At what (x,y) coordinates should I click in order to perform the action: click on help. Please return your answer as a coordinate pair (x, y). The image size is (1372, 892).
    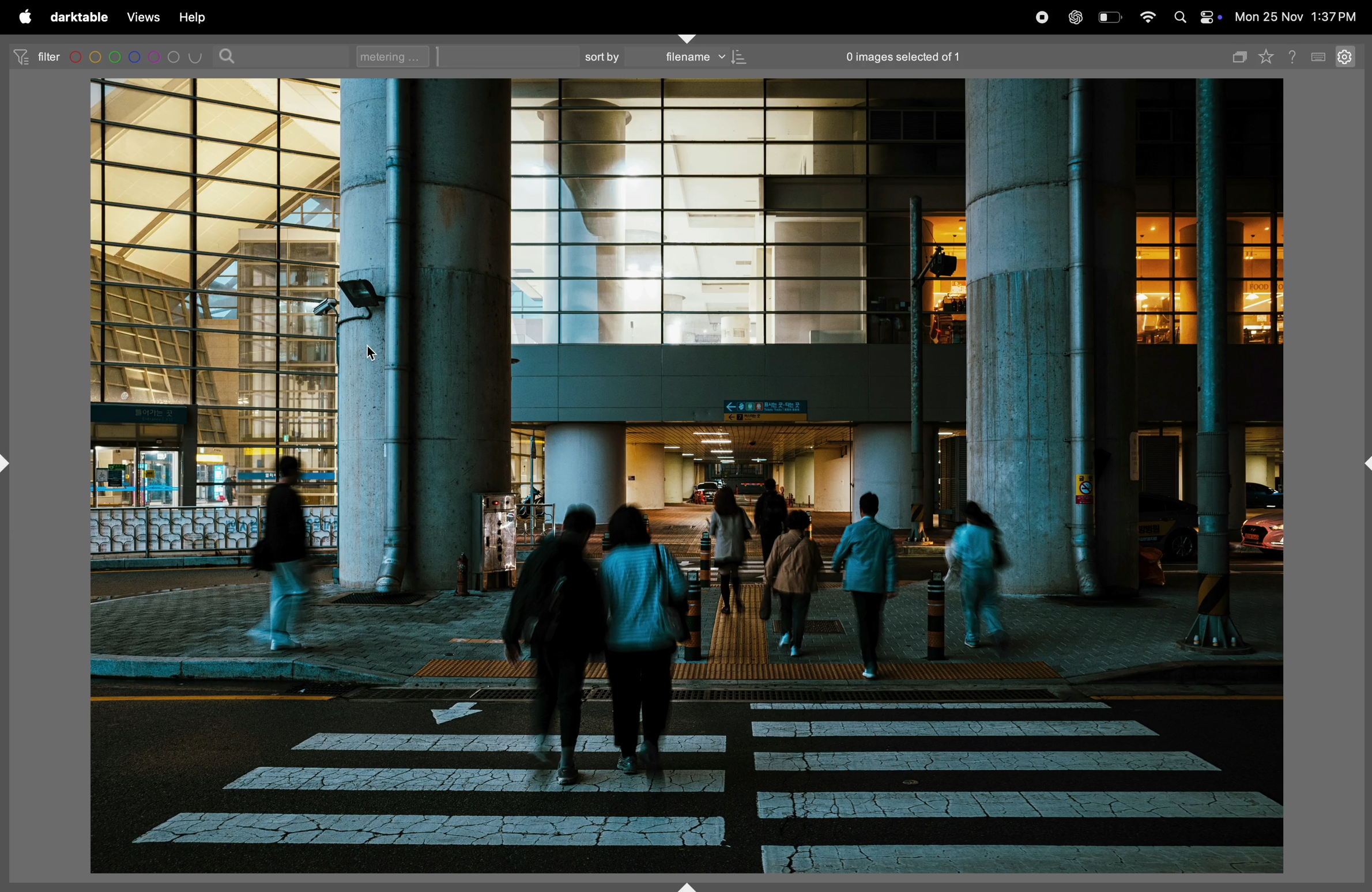
    Looking at the image, I should click on (202, 17).